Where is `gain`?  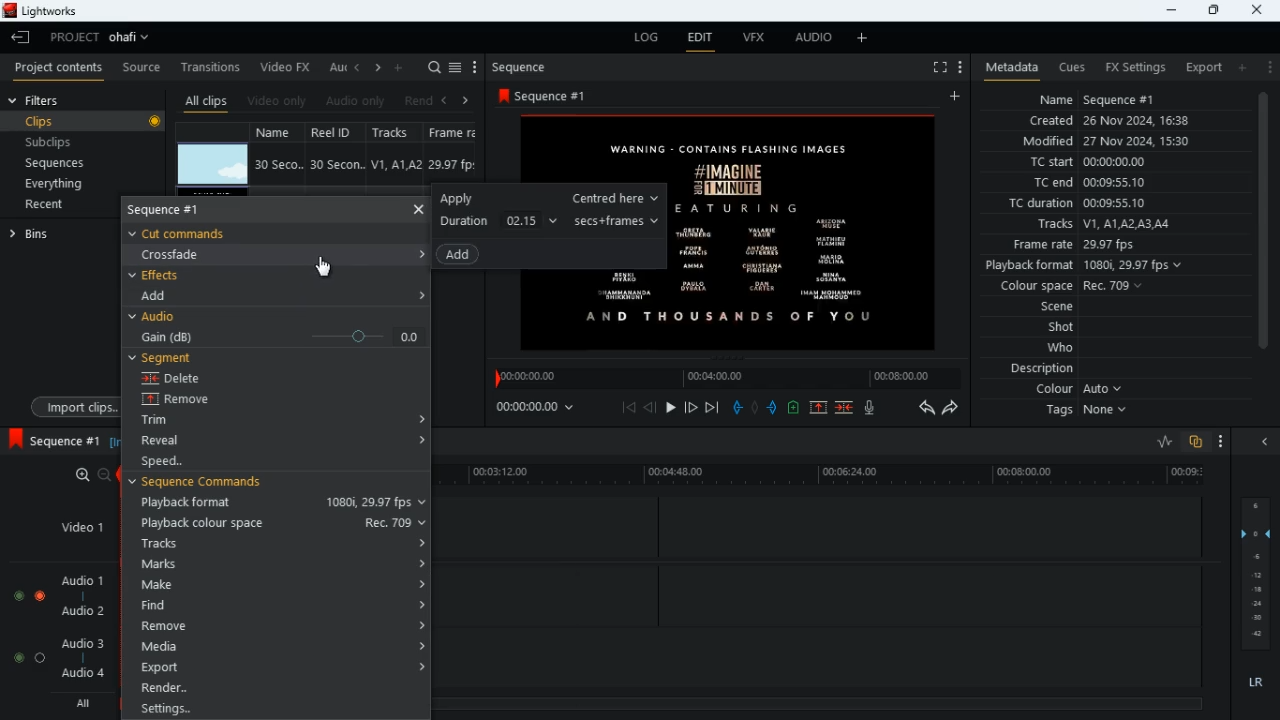
gain is located at coordinates (278, 336).